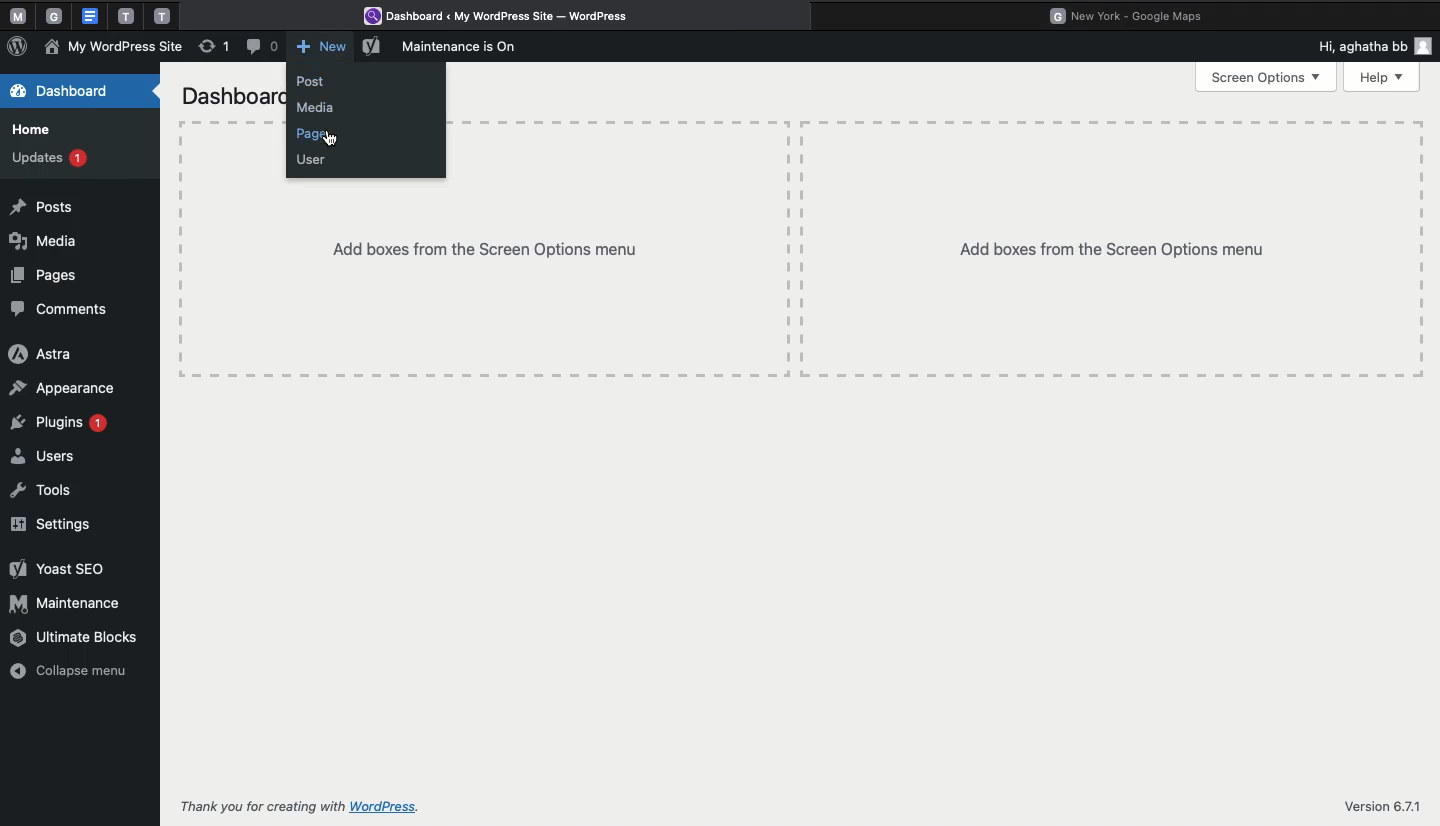 The height and width of the screenshot is (826, 1440). What do you see at coordinates (1133, 14) in the screenshot?
I see `Google maps` at bounding box center [1133, 14].